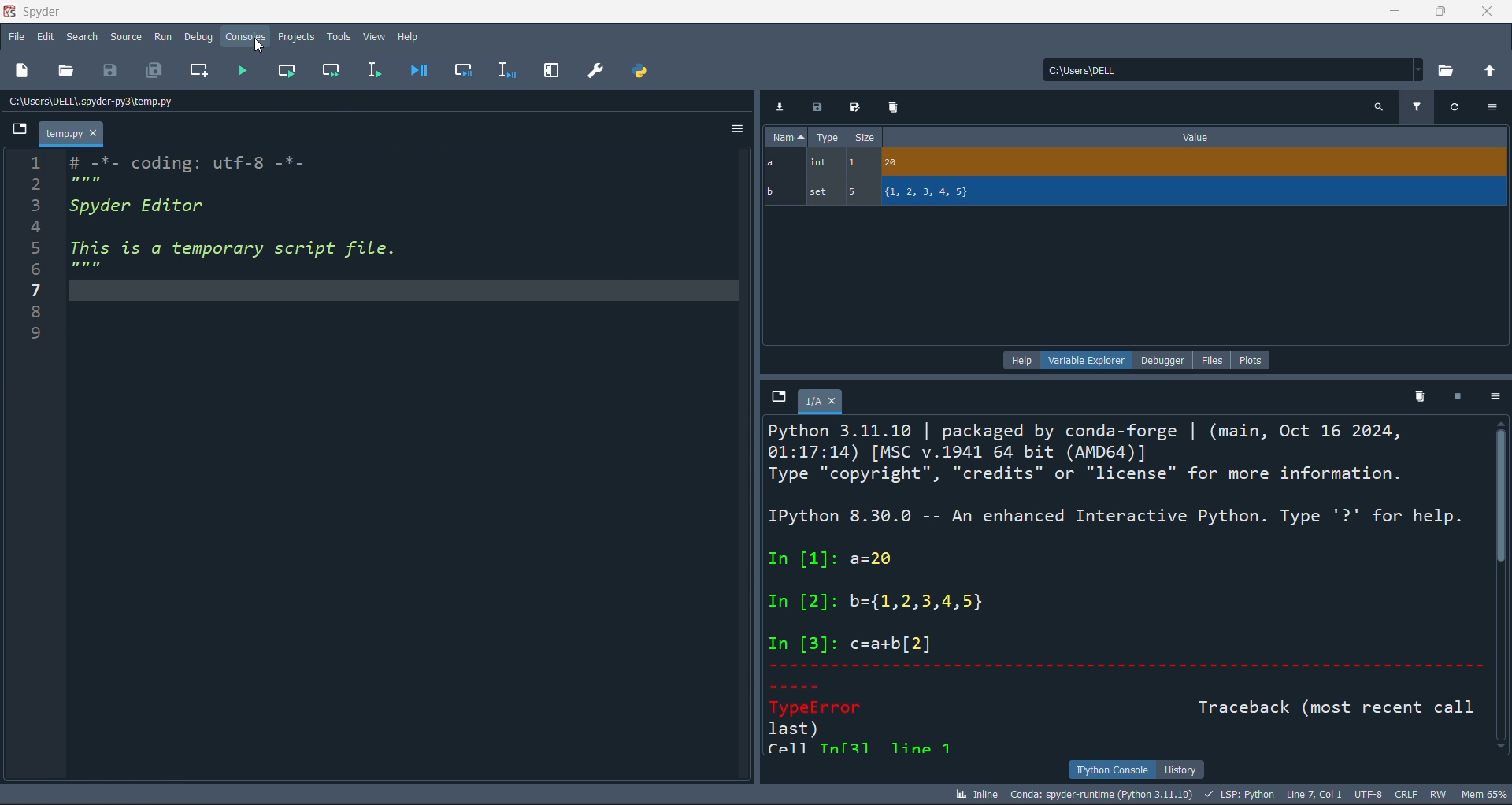  I want to click on 1/A , so click(821, 403).